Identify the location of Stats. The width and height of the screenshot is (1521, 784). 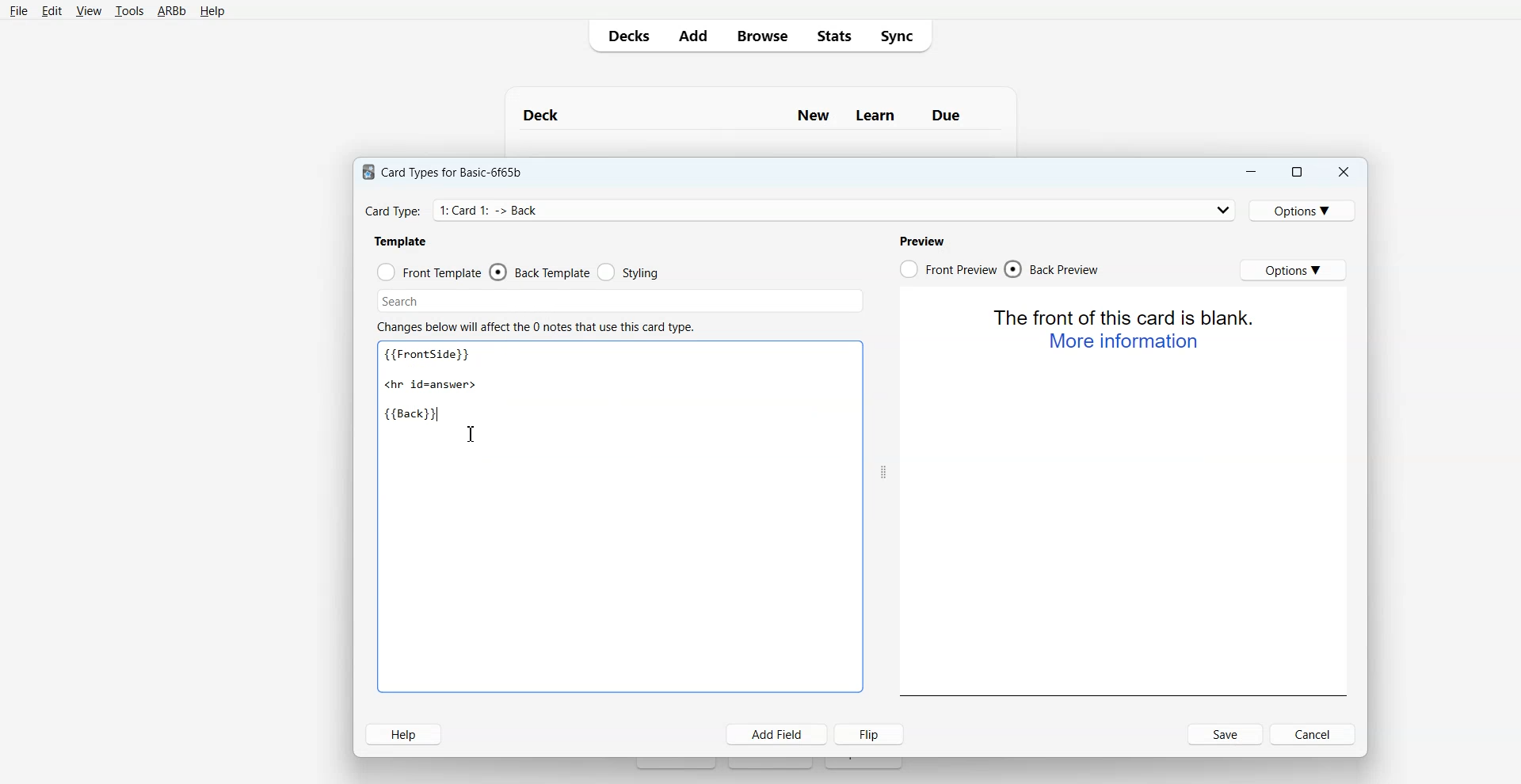
(831, 36).